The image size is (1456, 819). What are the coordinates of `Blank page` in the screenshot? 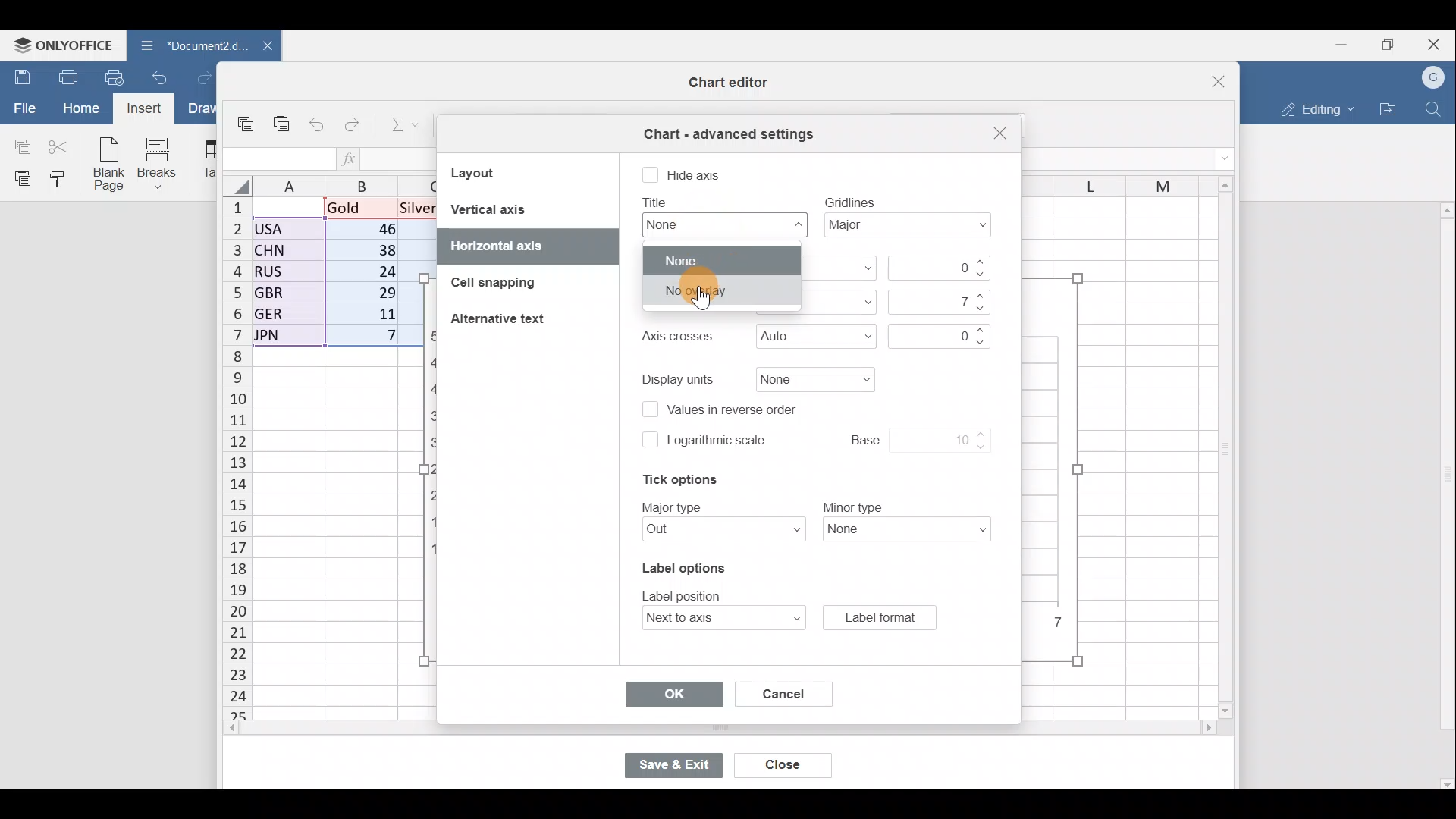 It's located at (111, 165).